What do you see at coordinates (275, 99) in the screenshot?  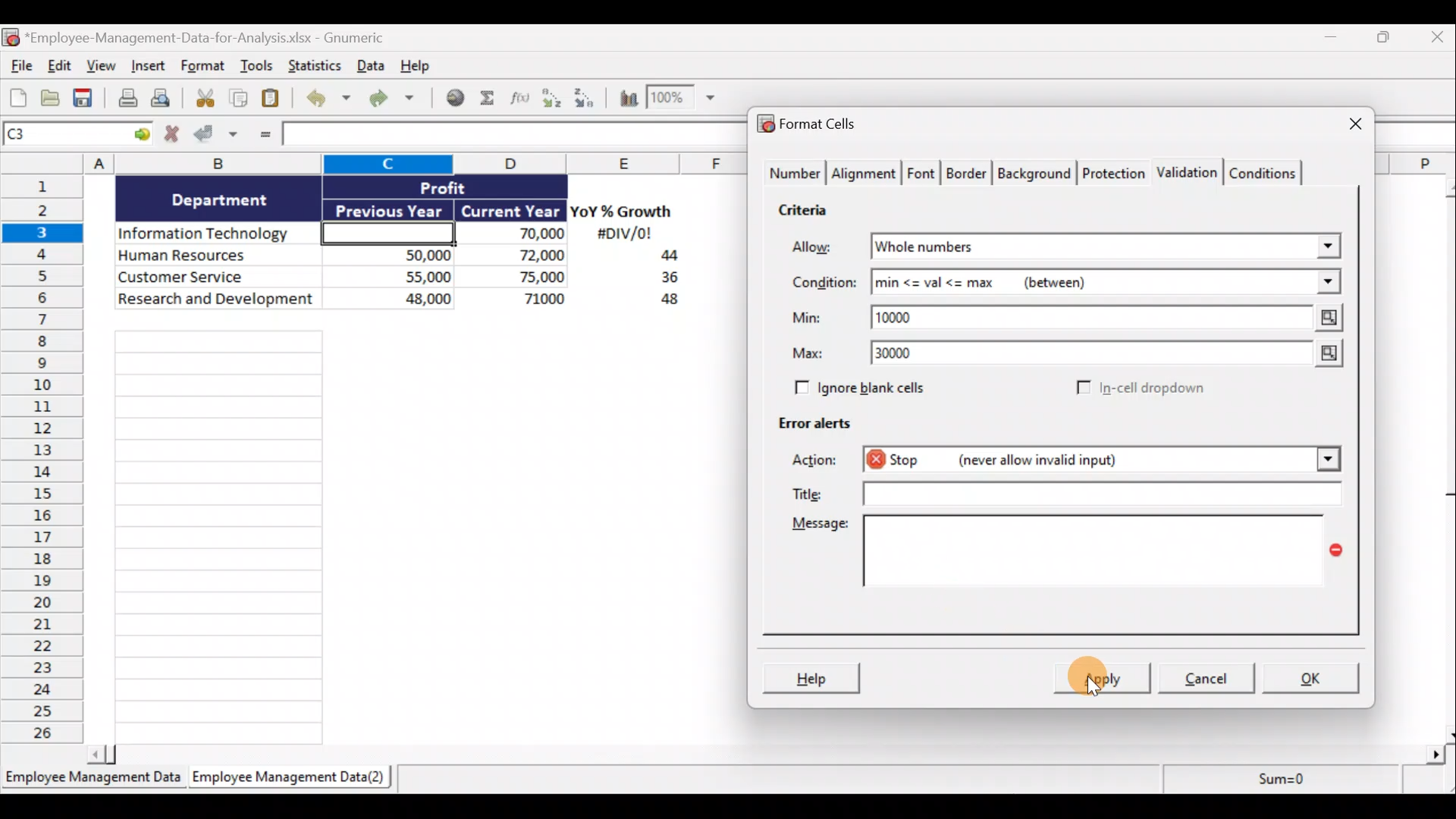 I see `Paste clipboard` at bounding box center [275, 99].